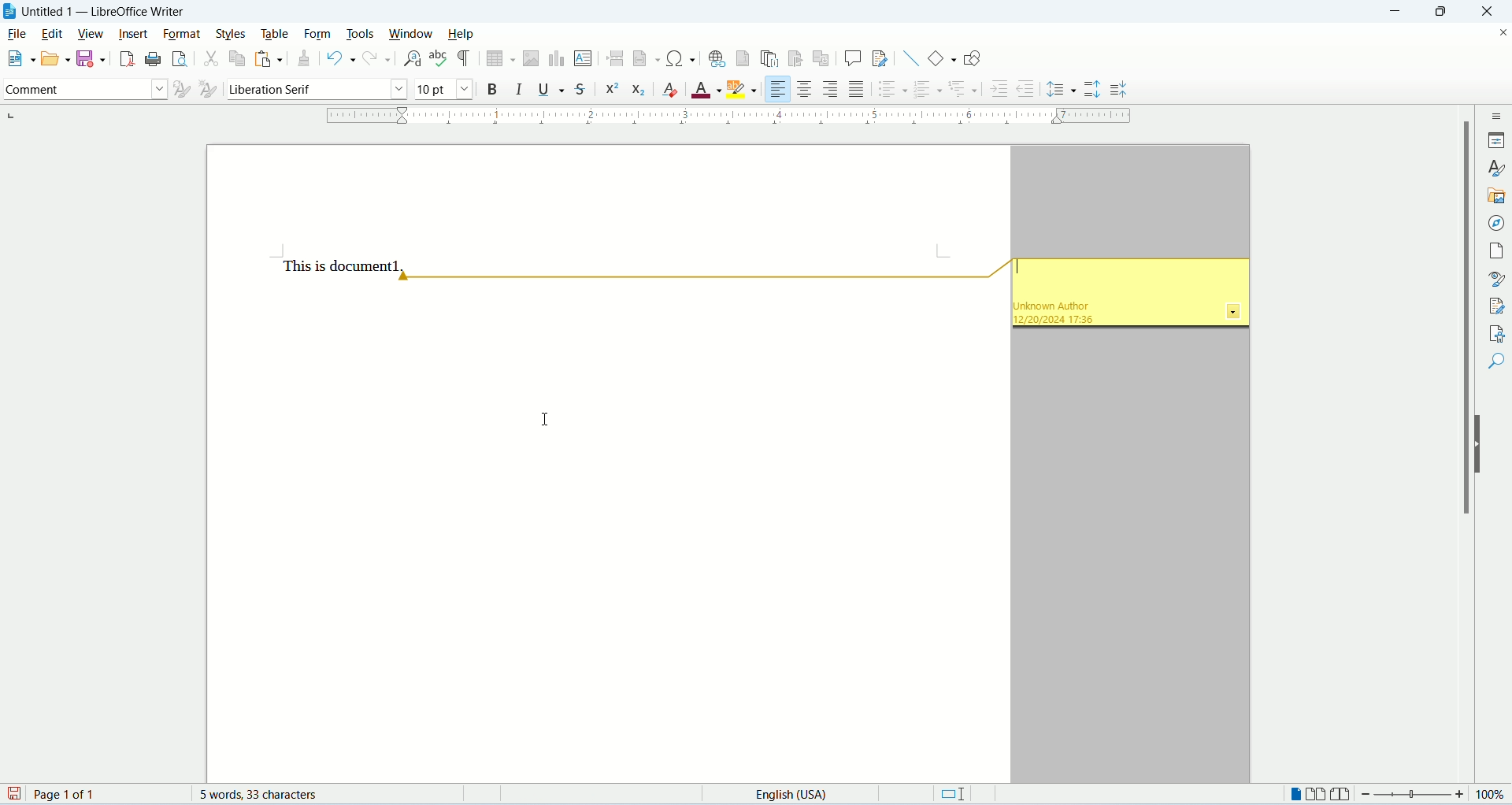 The width and height of the screenshot is (1512, 805). Describe the element at coordinates (270, 58) in the screenshot. I see `paste` at that location.